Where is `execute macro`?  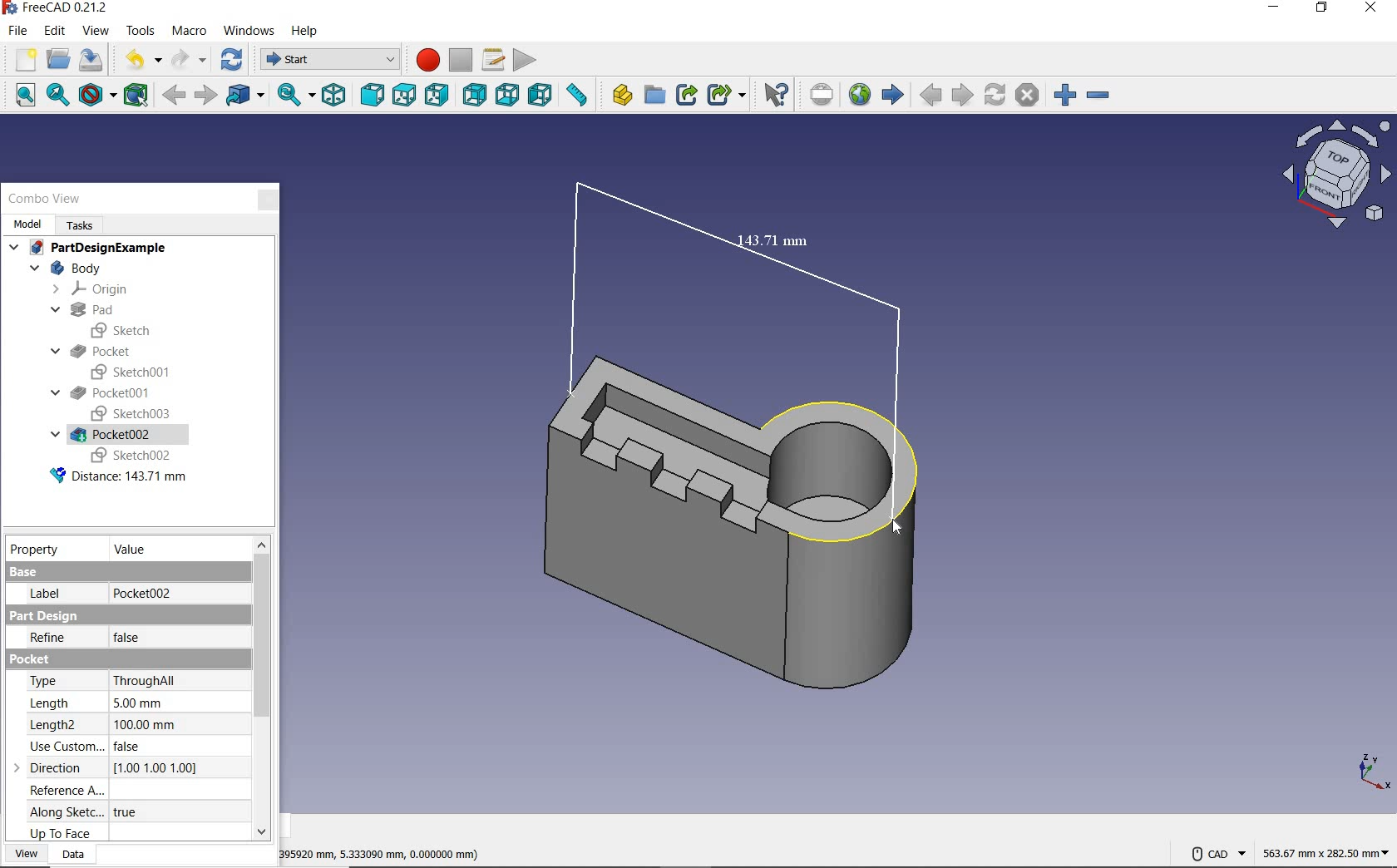 execute macro is located at coordinates (526, 60).